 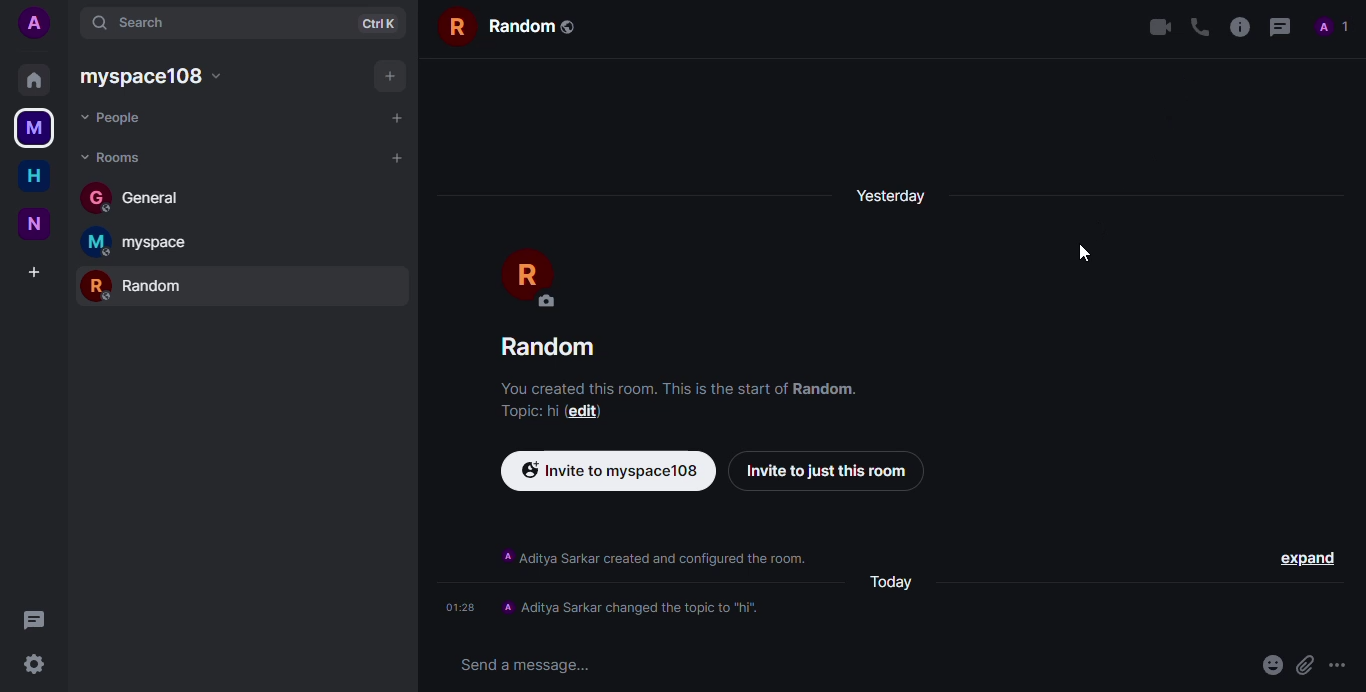 I want to click on Aditya Sarkar created and configured the room., so click(x=659, y=562).